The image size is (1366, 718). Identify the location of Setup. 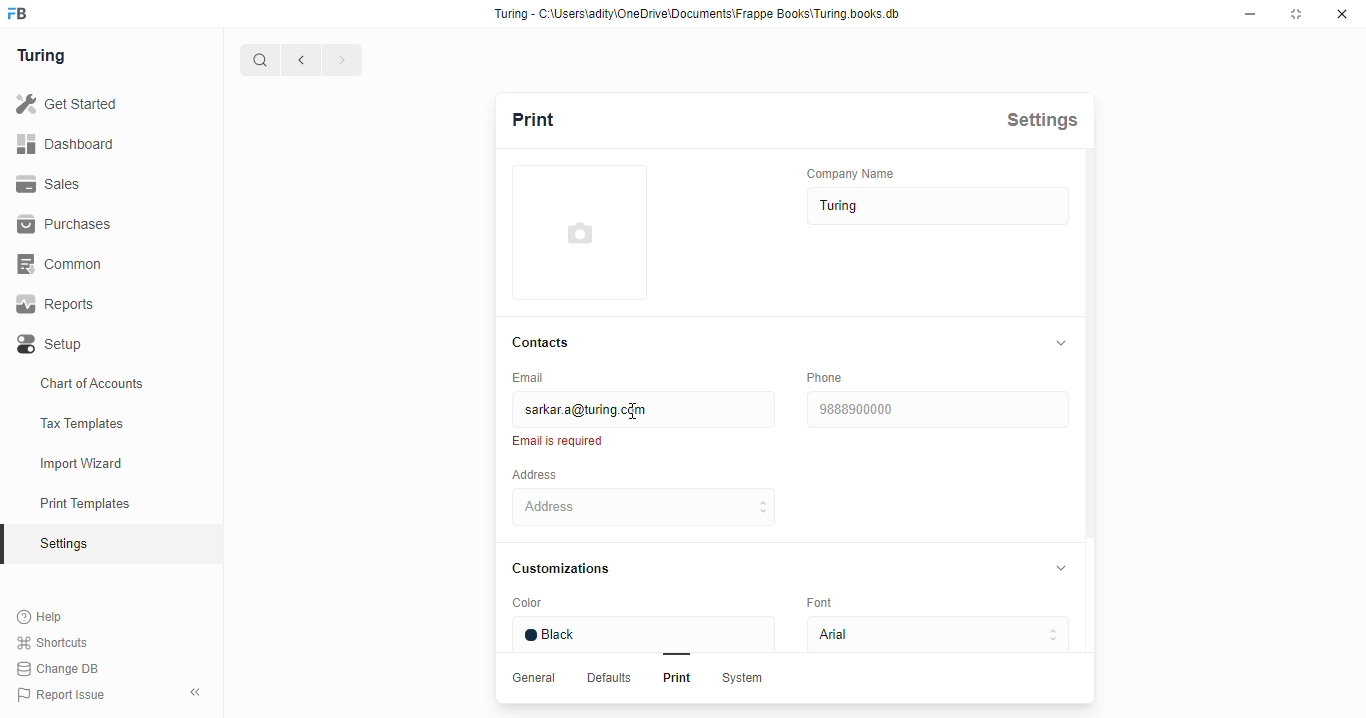
(92, 344).